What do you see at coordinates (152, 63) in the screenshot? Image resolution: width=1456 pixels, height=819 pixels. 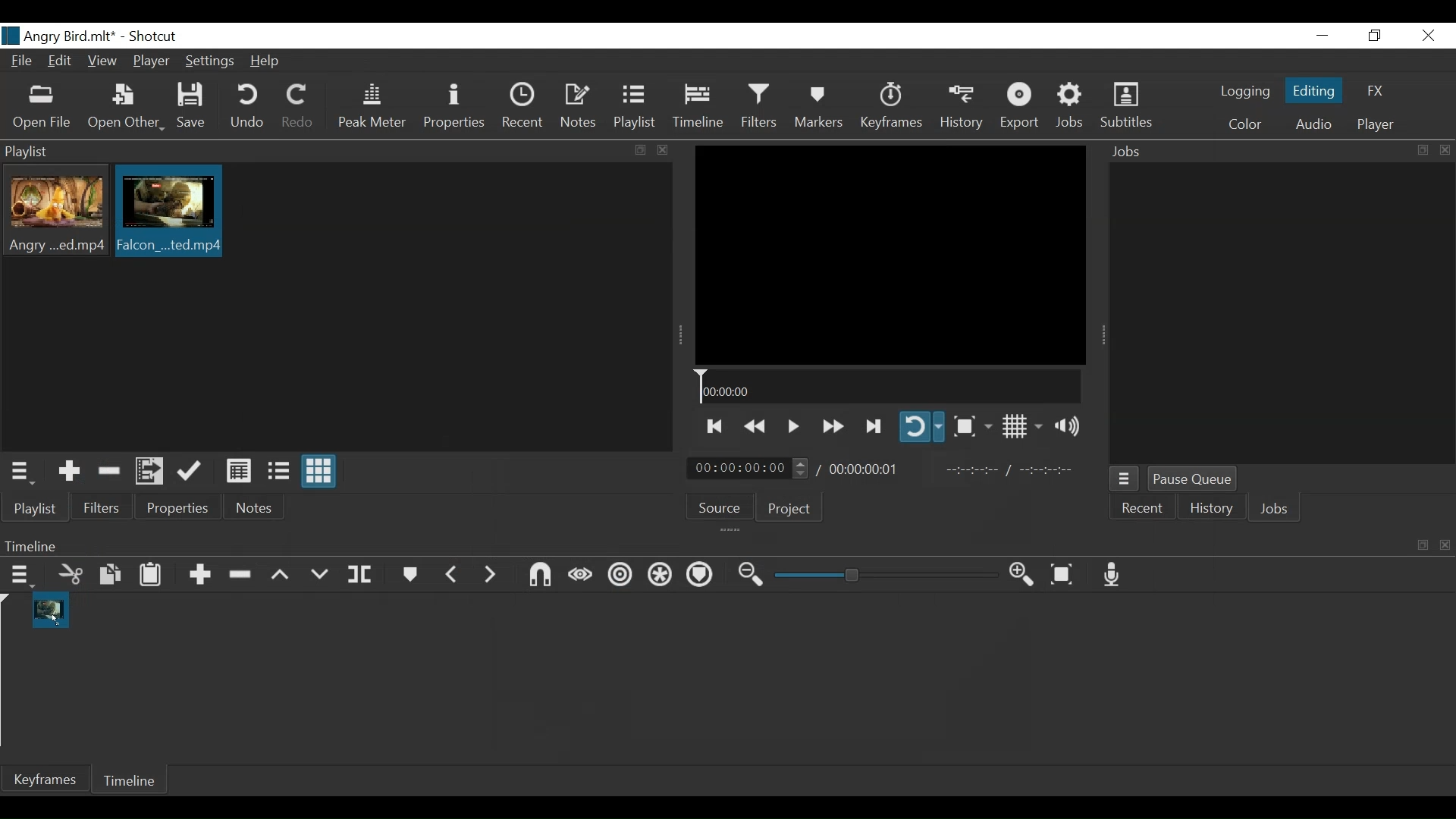 I see `Player` at bounding box center [152, 63].